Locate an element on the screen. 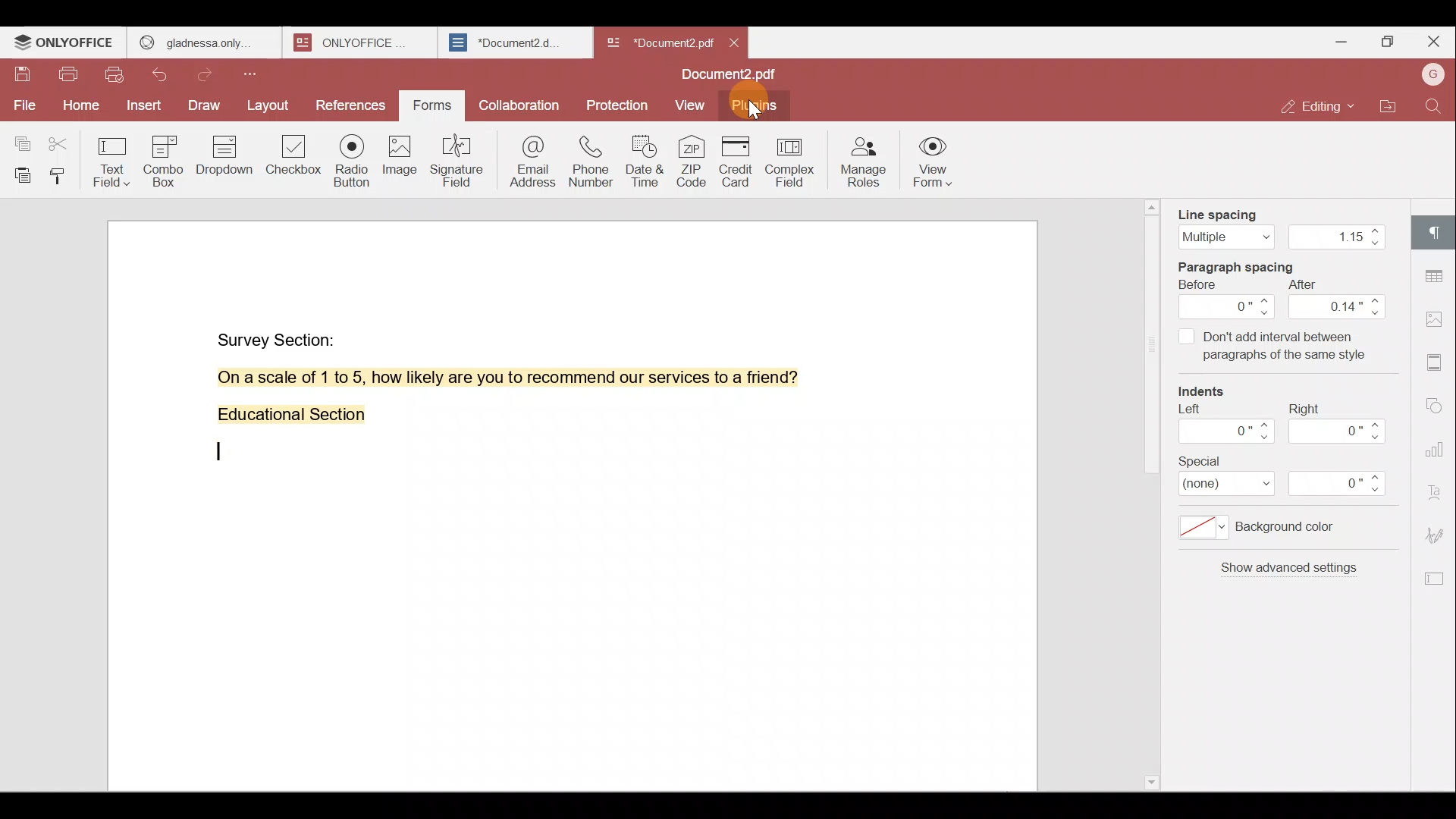 This screenshot has width=1456, height=819. Cut is located at coordinates (64, 140).